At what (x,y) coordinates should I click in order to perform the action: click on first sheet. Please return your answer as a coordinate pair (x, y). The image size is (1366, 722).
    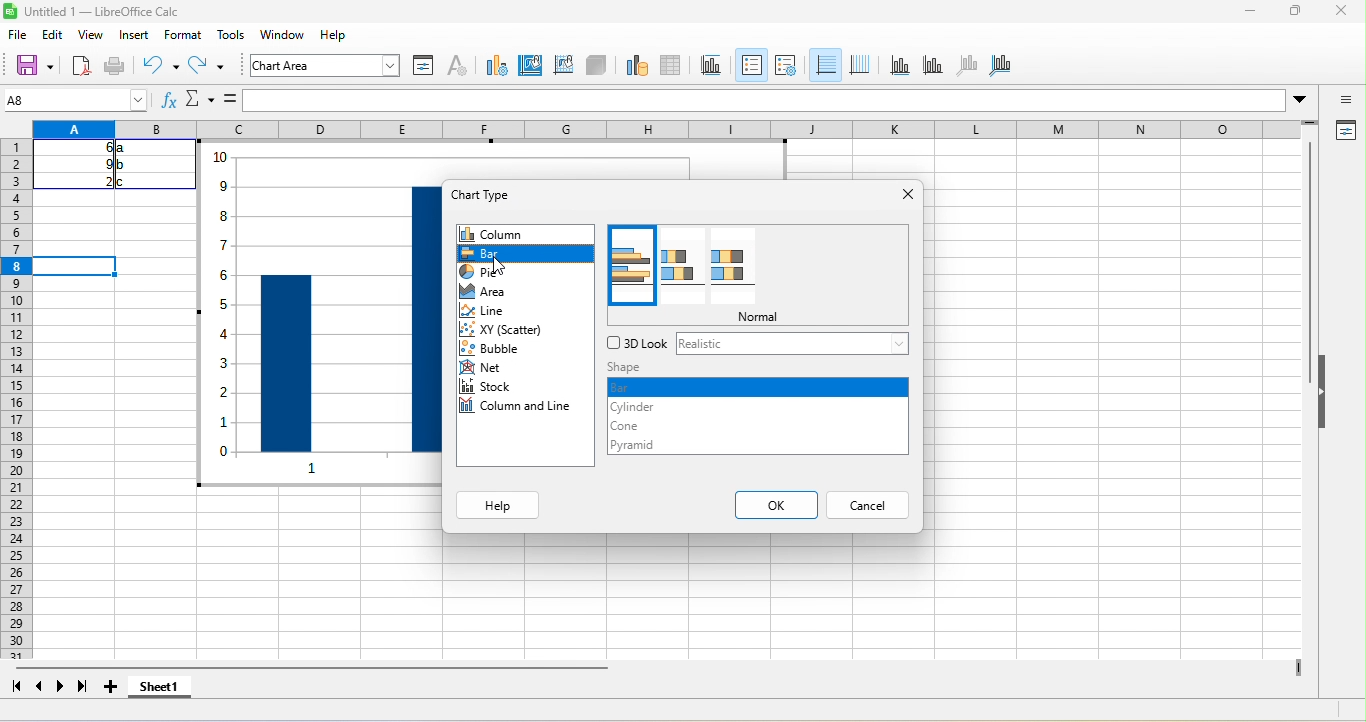
    Looking at the image, I should click on (16, 688).